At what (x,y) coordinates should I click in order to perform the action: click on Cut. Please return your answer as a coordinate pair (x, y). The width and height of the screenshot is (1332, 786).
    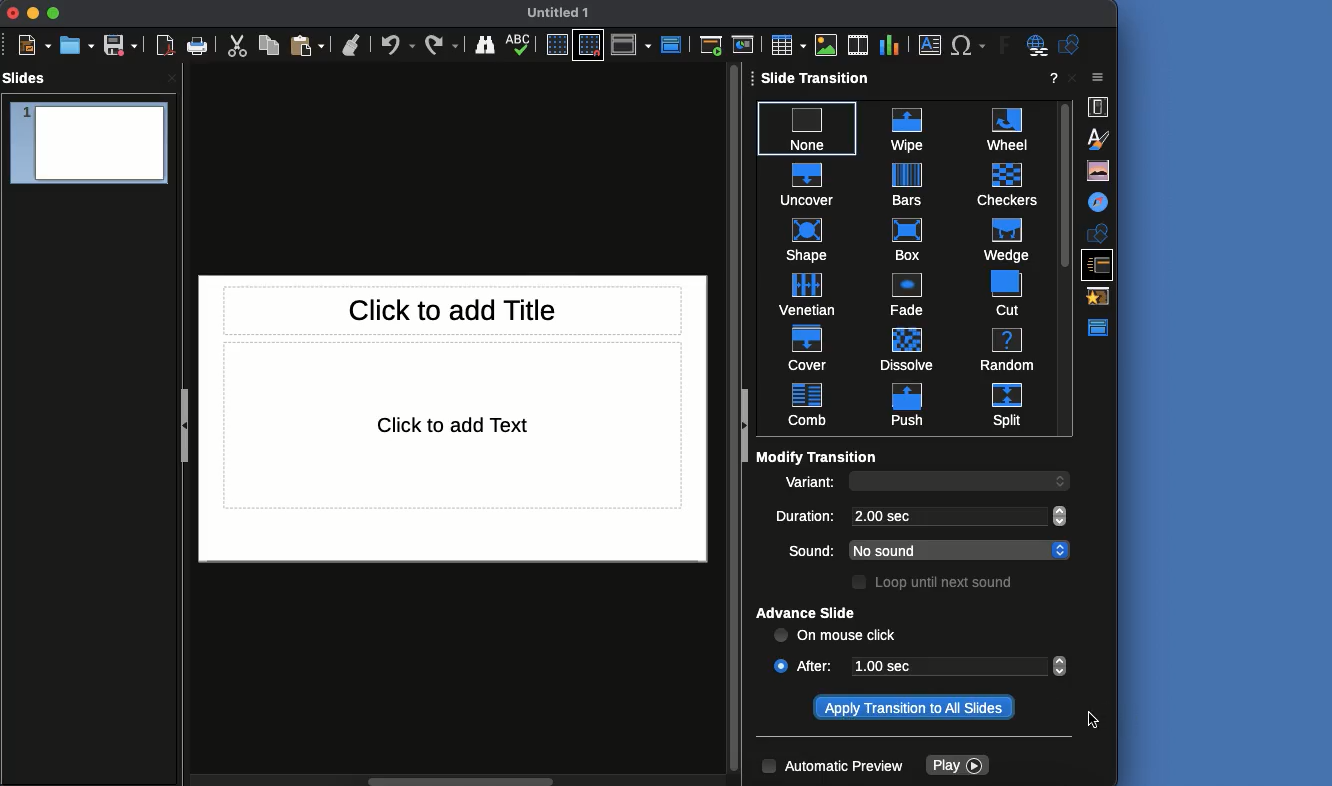
    Looking at the image, I should click on (235, 46).